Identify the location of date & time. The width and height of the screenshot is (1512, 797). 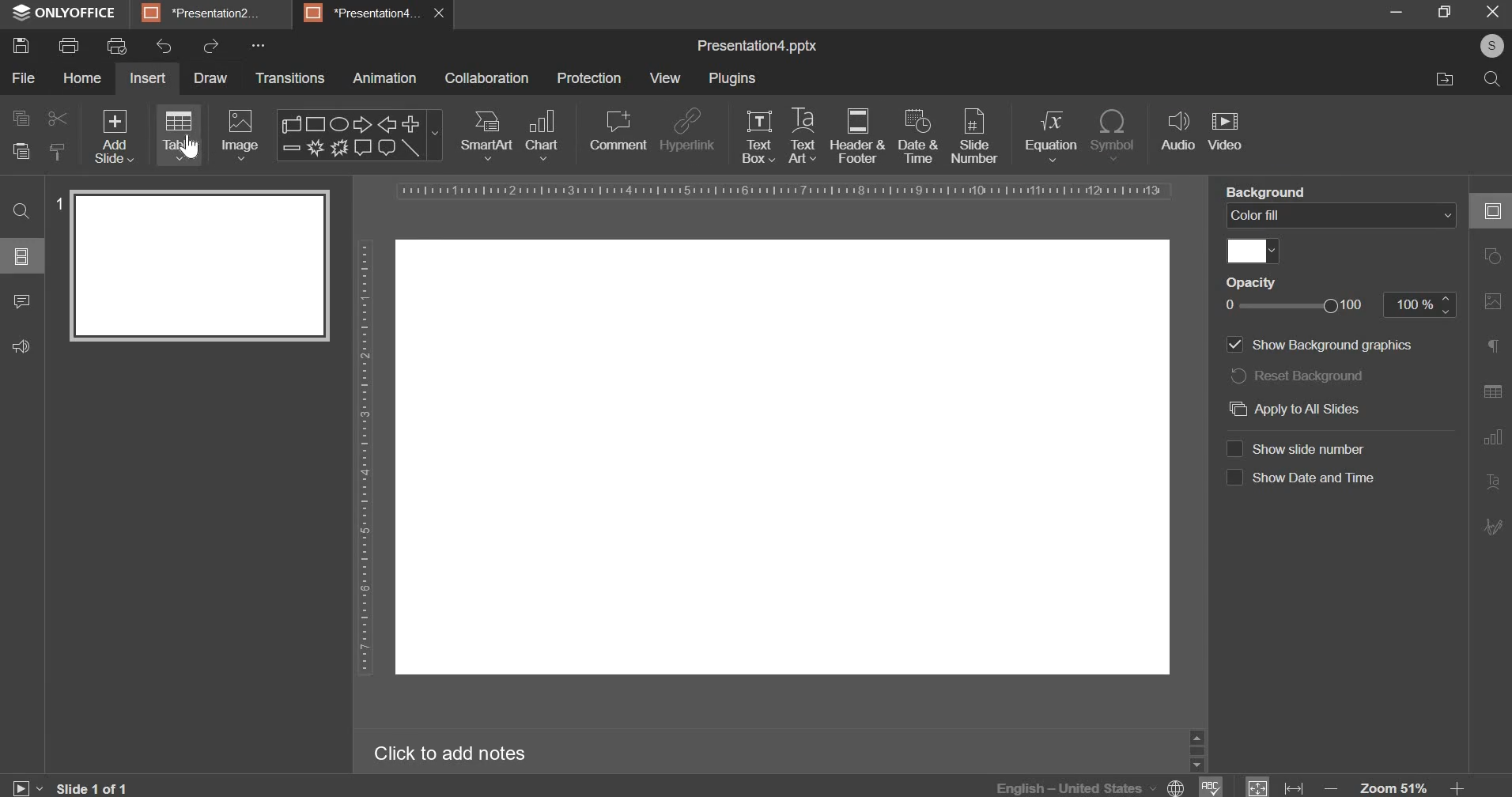
(917, 135).